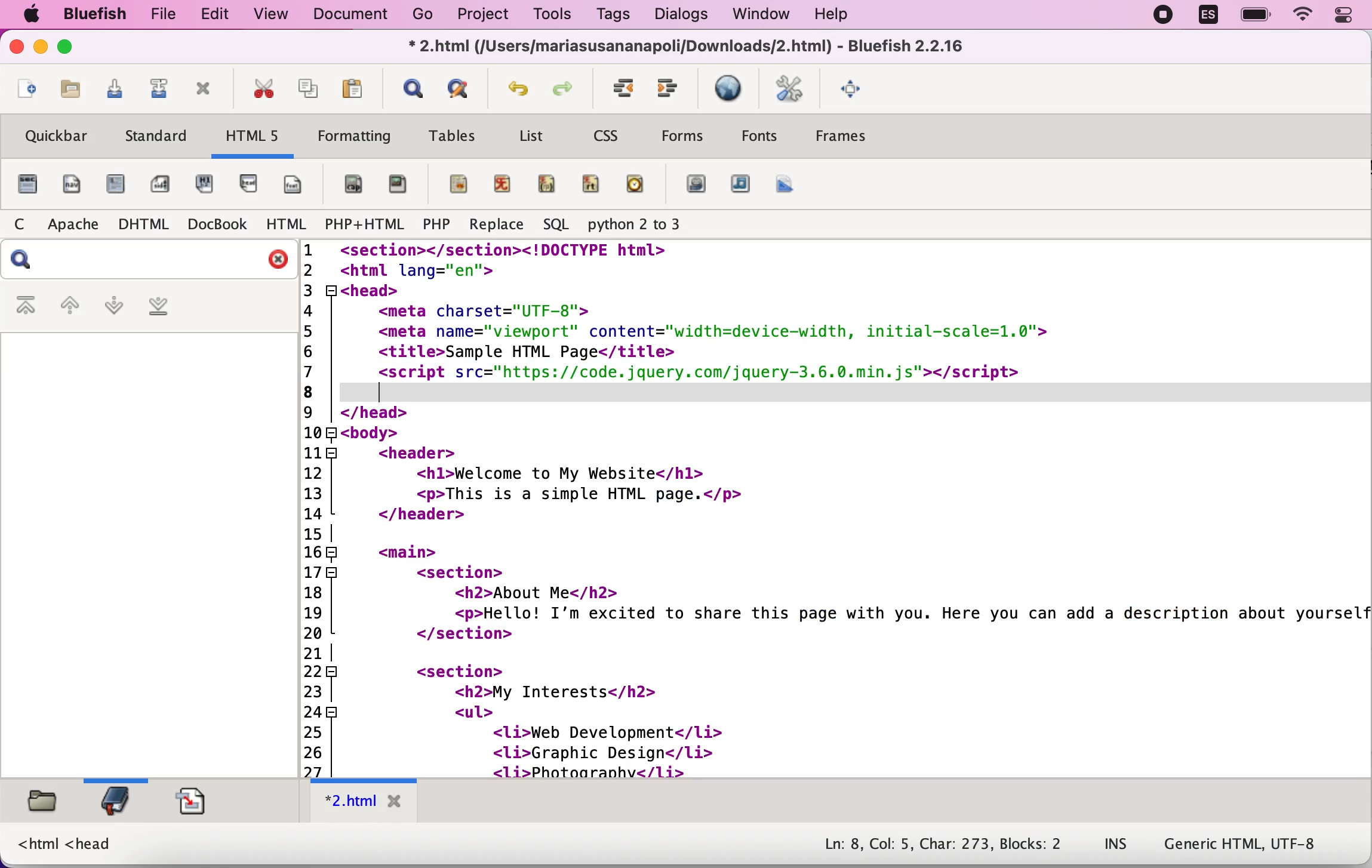  Describe the element at coordinates (222, 16) in the screenshot. I see `edit` at that location.